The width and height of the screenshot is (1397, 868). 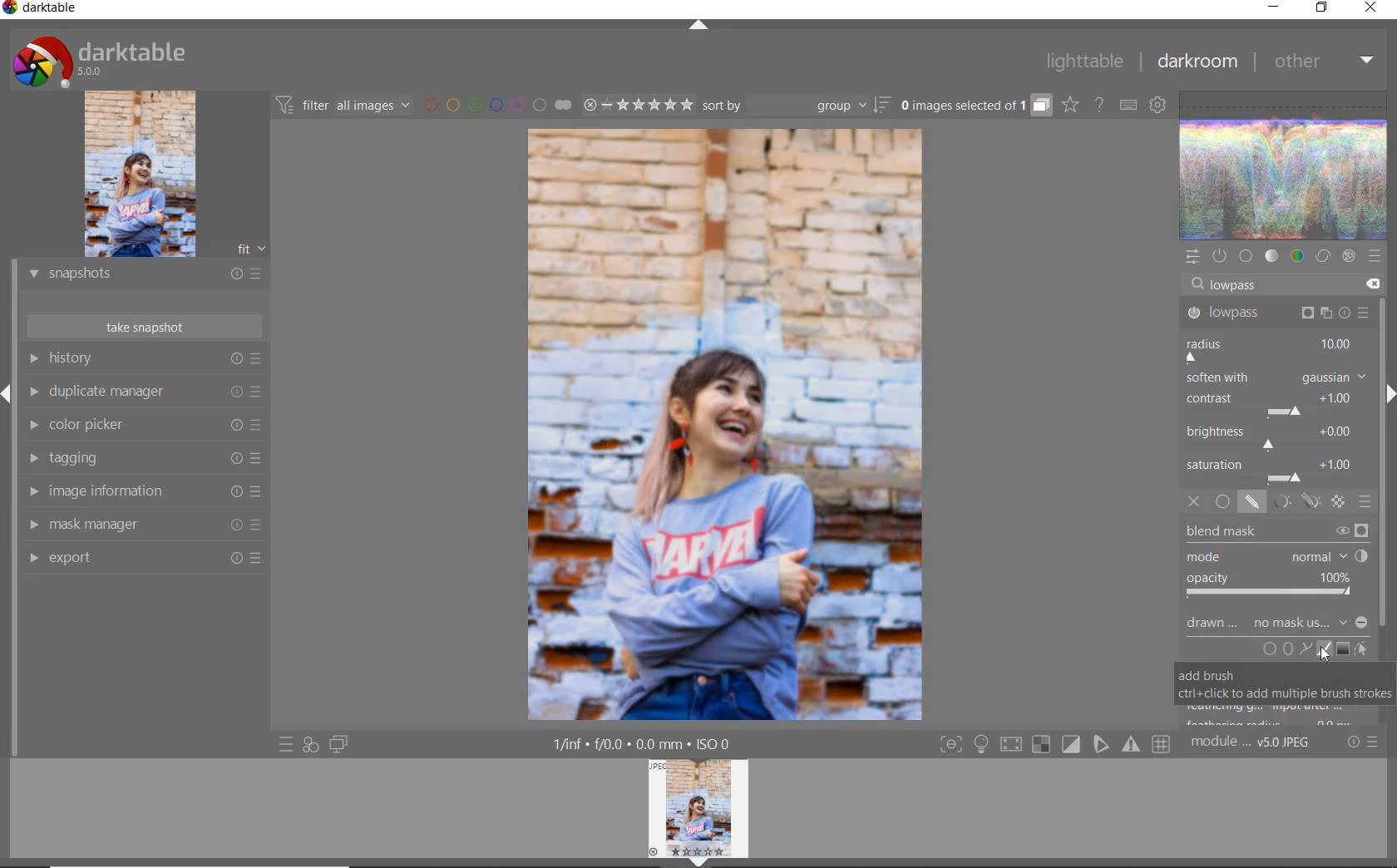 What do you see at coordinates (1365, 501) in the screenshot?
I see `blending options` at bounding box center [1365, 501].